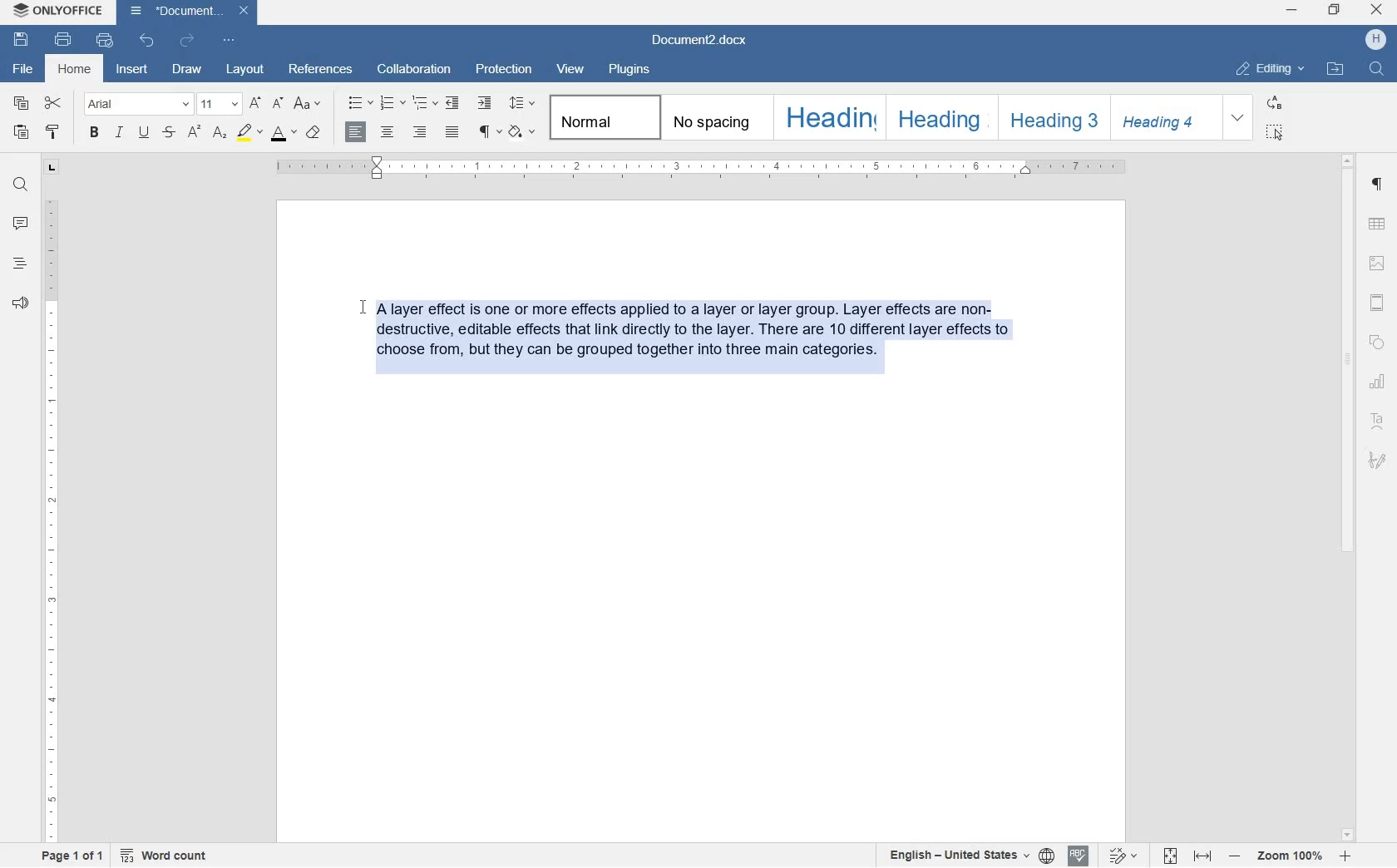 The width and height of the screenshot is (1397, 868). Describe the element at coordinates (1276, 131) in the screenshot. I see `select all ` at that location.